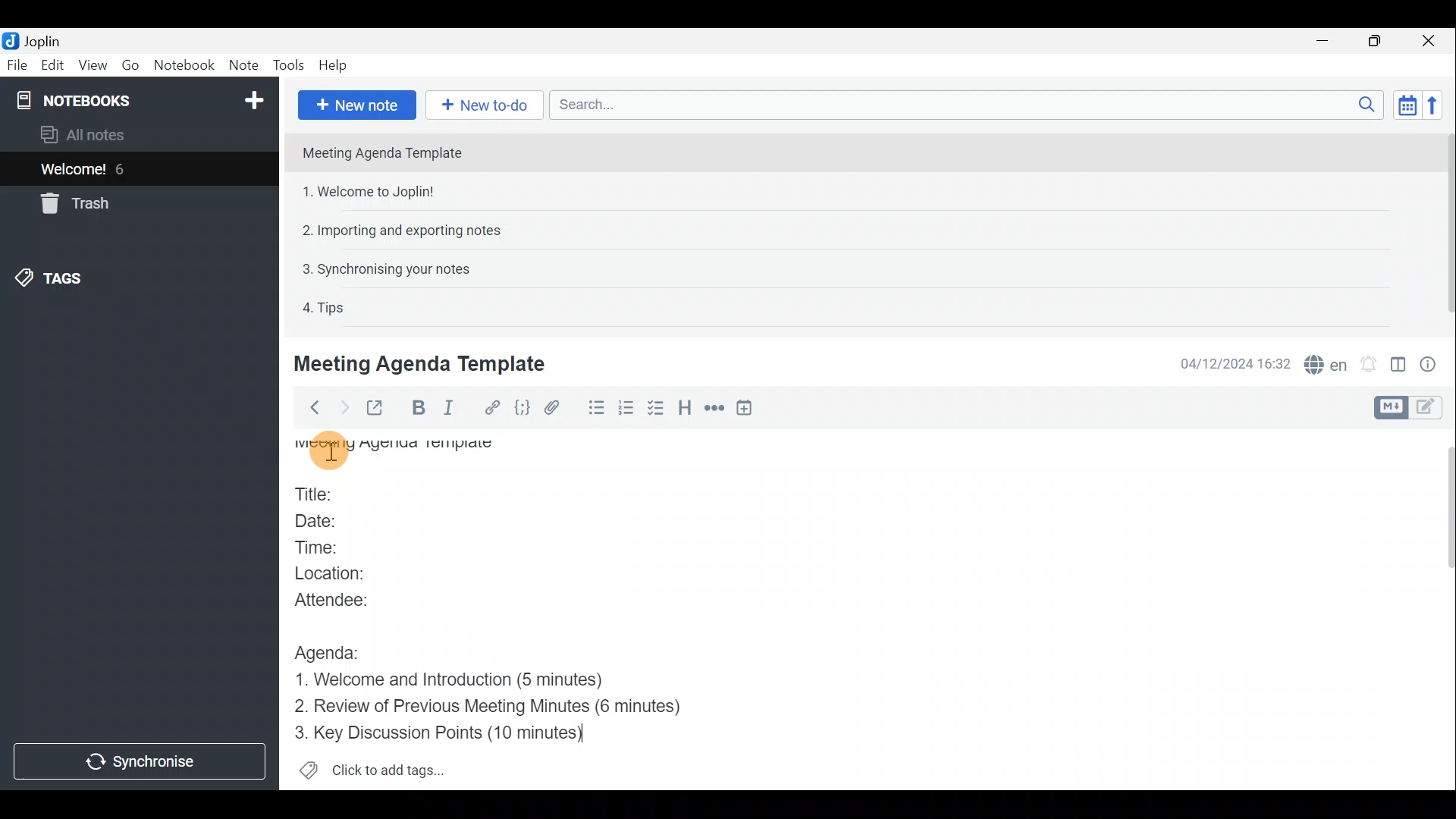 Image resolution: width=1456 pixels, height=819 pixels. What do you see at coordinates (325, 307) in the screenshot?
I see `4. Tips` at bounding box center [325, 307].